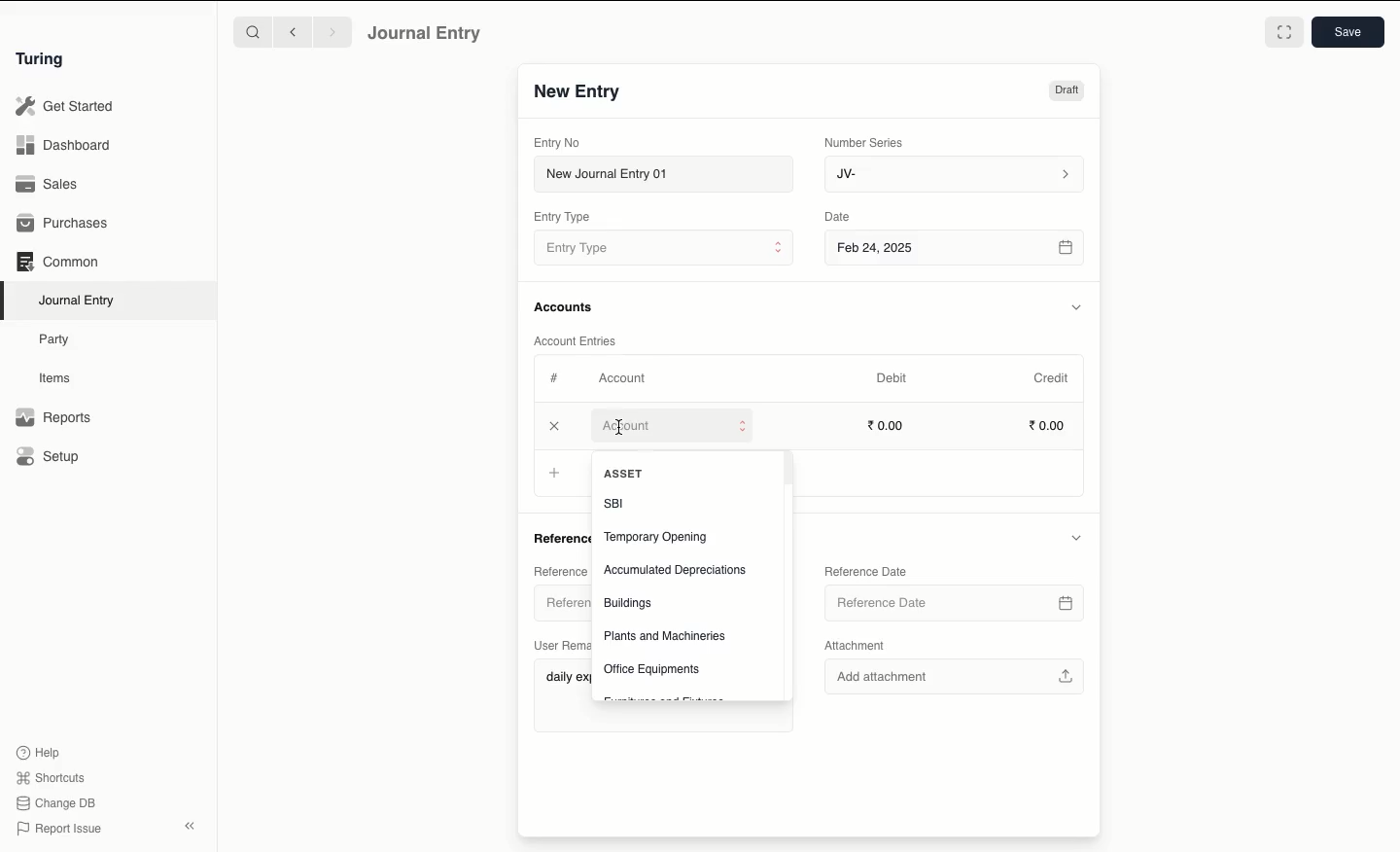 This screenshot has height=852, width=1400. I want to click on Backward, so click(293, 31).